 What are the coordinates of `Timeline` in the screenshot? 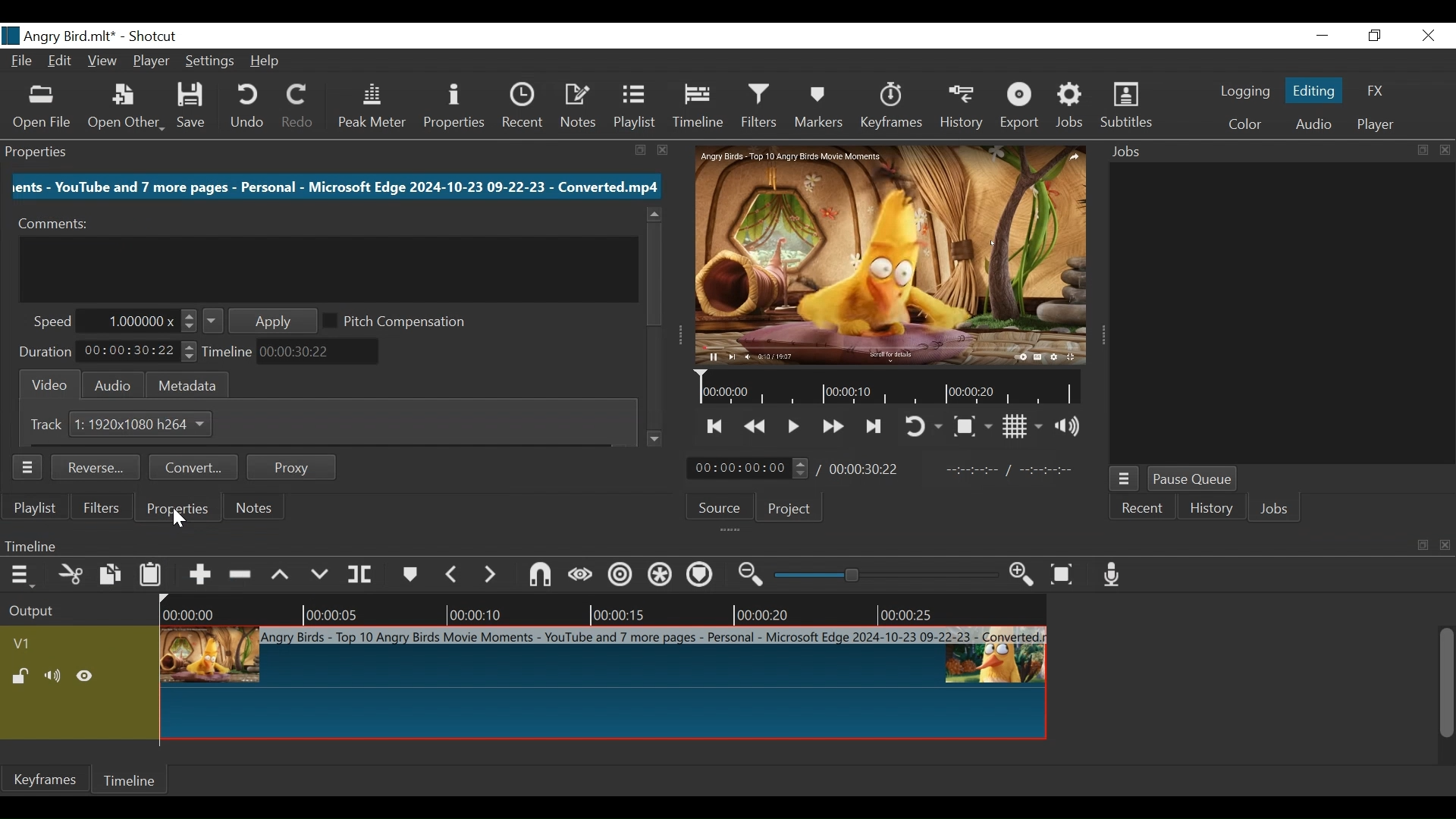 It's located at (229, 353).